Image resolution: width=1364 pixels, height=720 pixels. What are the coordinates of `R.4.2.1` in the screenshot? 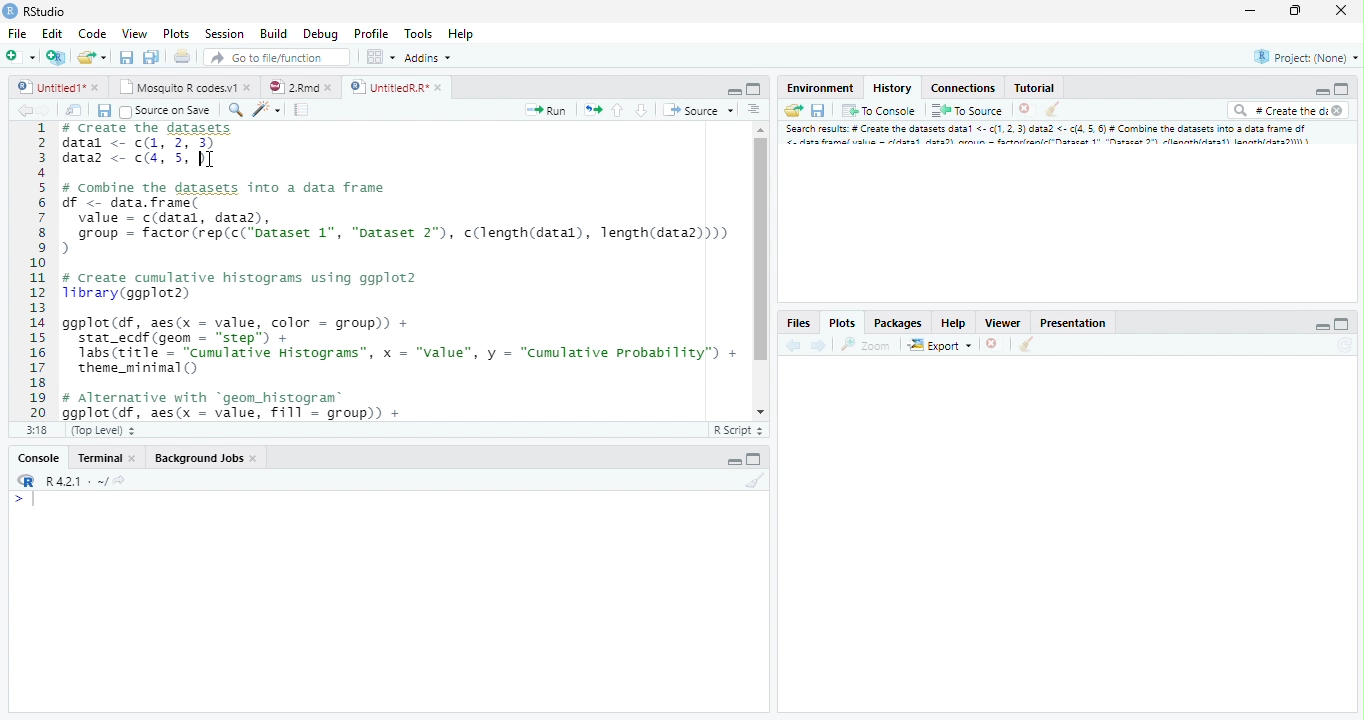 It's located at (65, 481).